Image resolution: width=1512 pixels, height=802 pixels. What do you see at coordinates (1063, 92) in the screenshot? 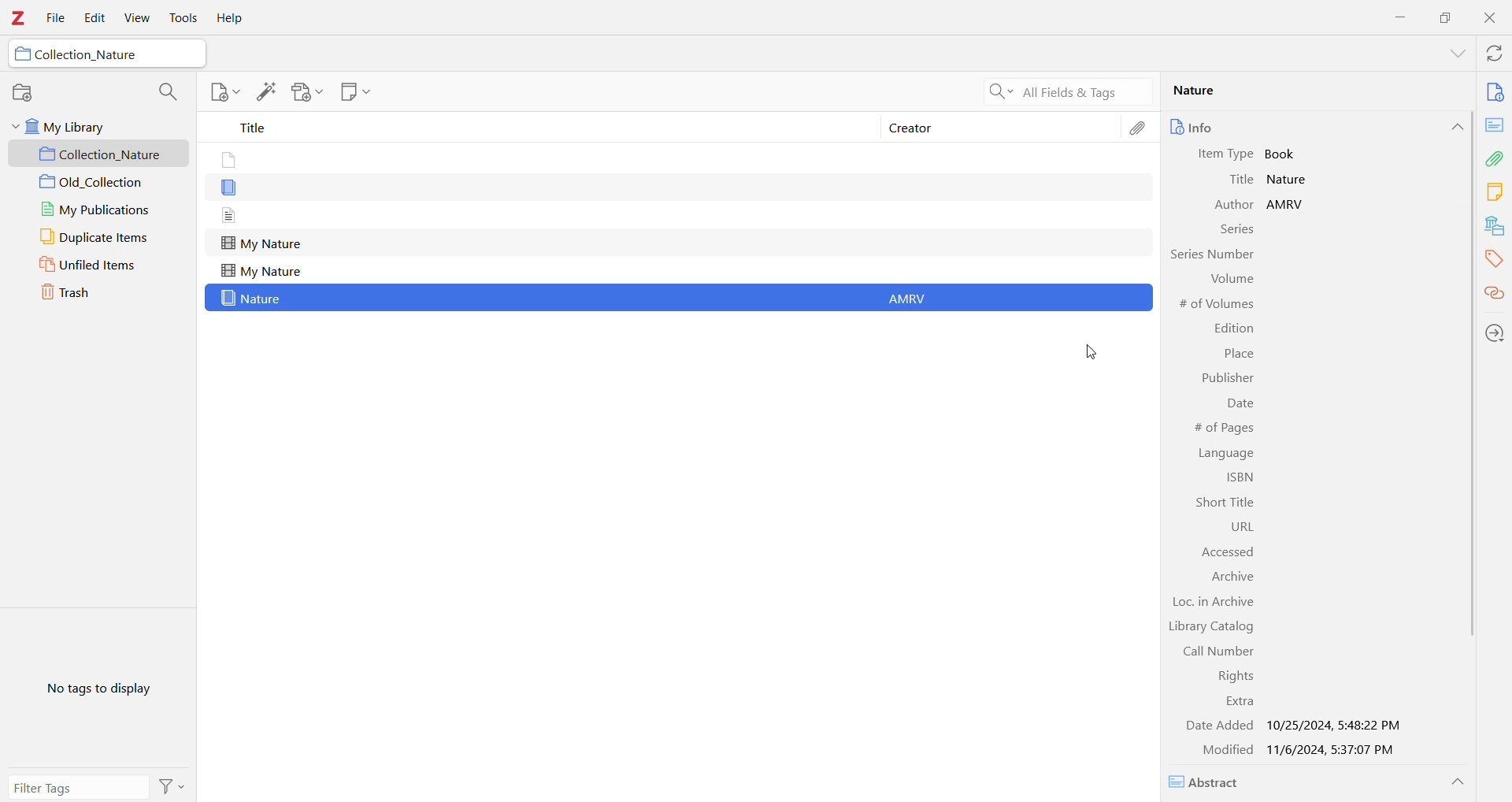
I see `Search All Fields & tags` at bounding box center [1063, 92].